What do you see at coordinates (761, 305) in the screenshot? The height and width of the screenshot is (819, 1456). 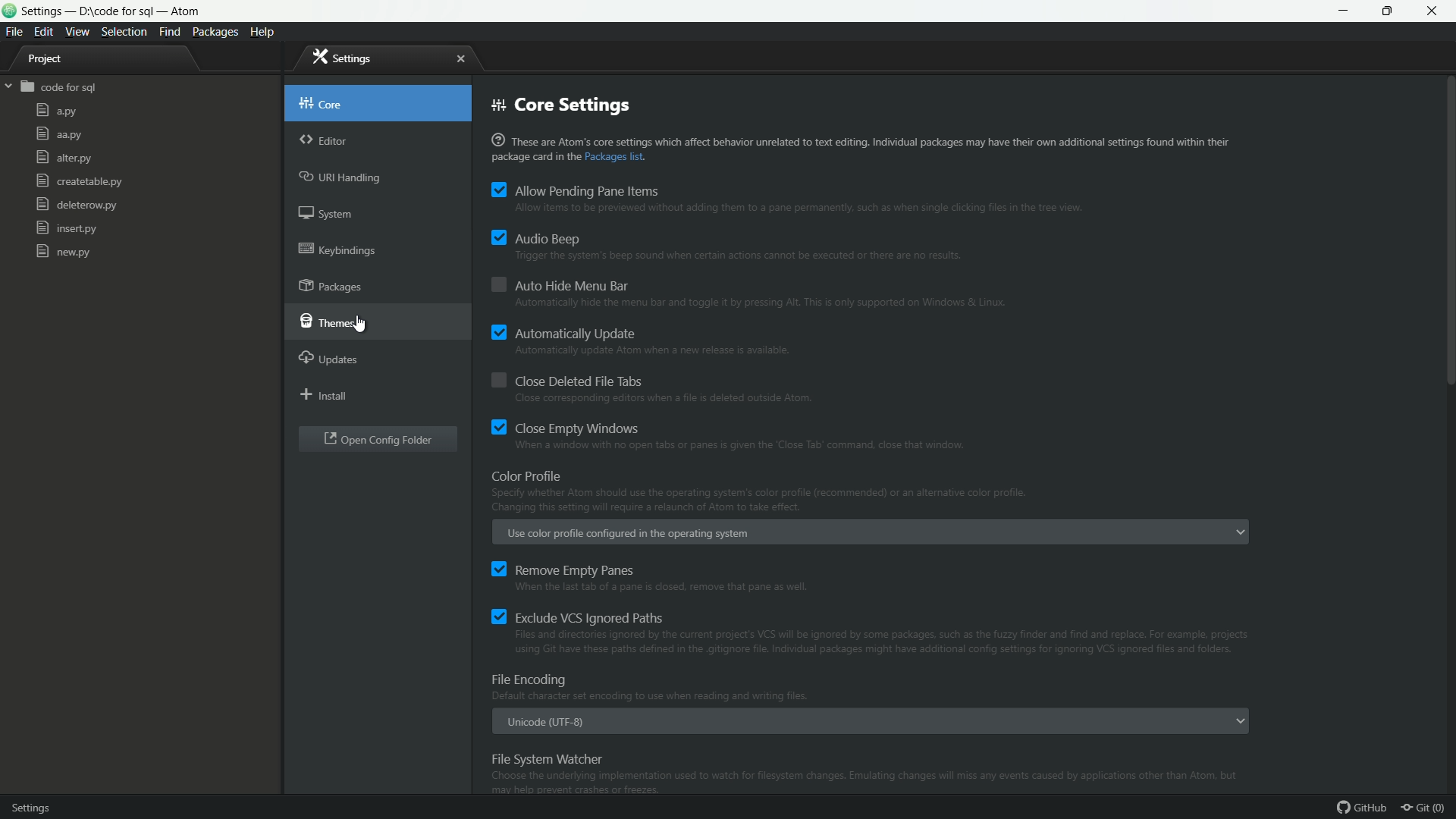 I see `automatically hide the menu bar and toggle it by pressing alt, this is only supported on windows & linux` at bounding box center [761, 305].